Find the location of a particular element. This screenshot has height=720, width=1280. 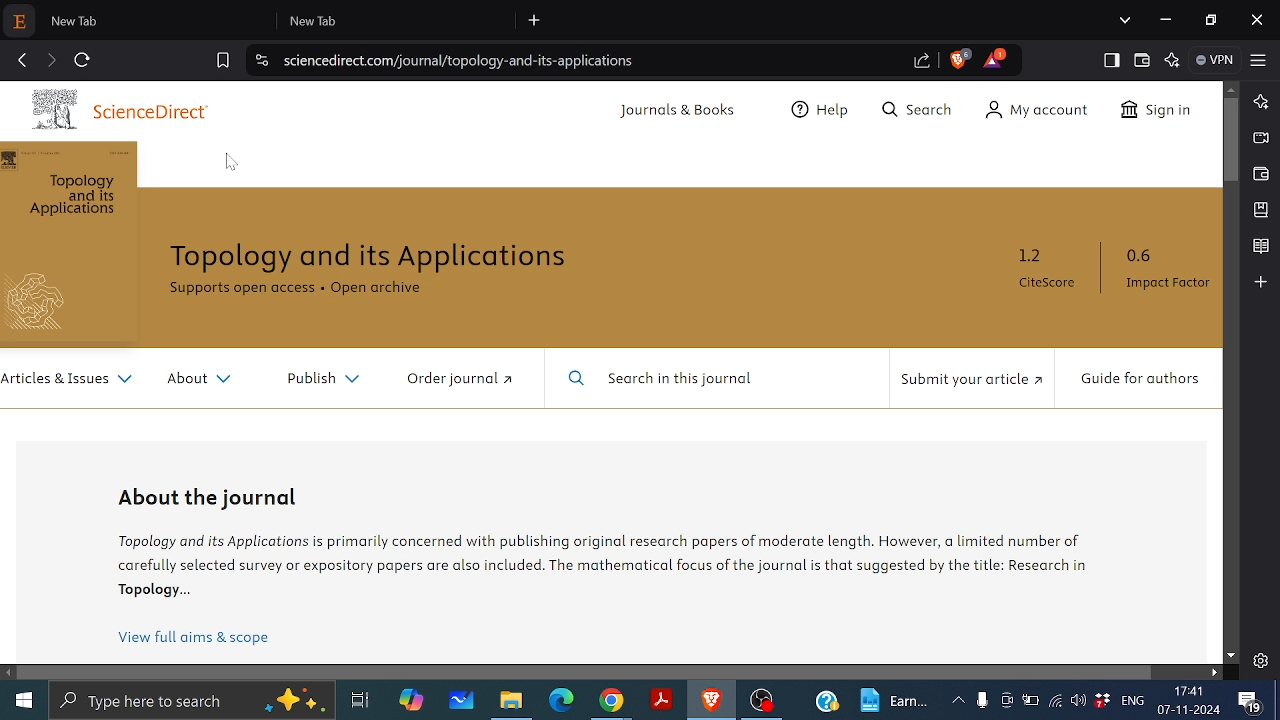

Web address of the current page is located at coordinates (463, 61).